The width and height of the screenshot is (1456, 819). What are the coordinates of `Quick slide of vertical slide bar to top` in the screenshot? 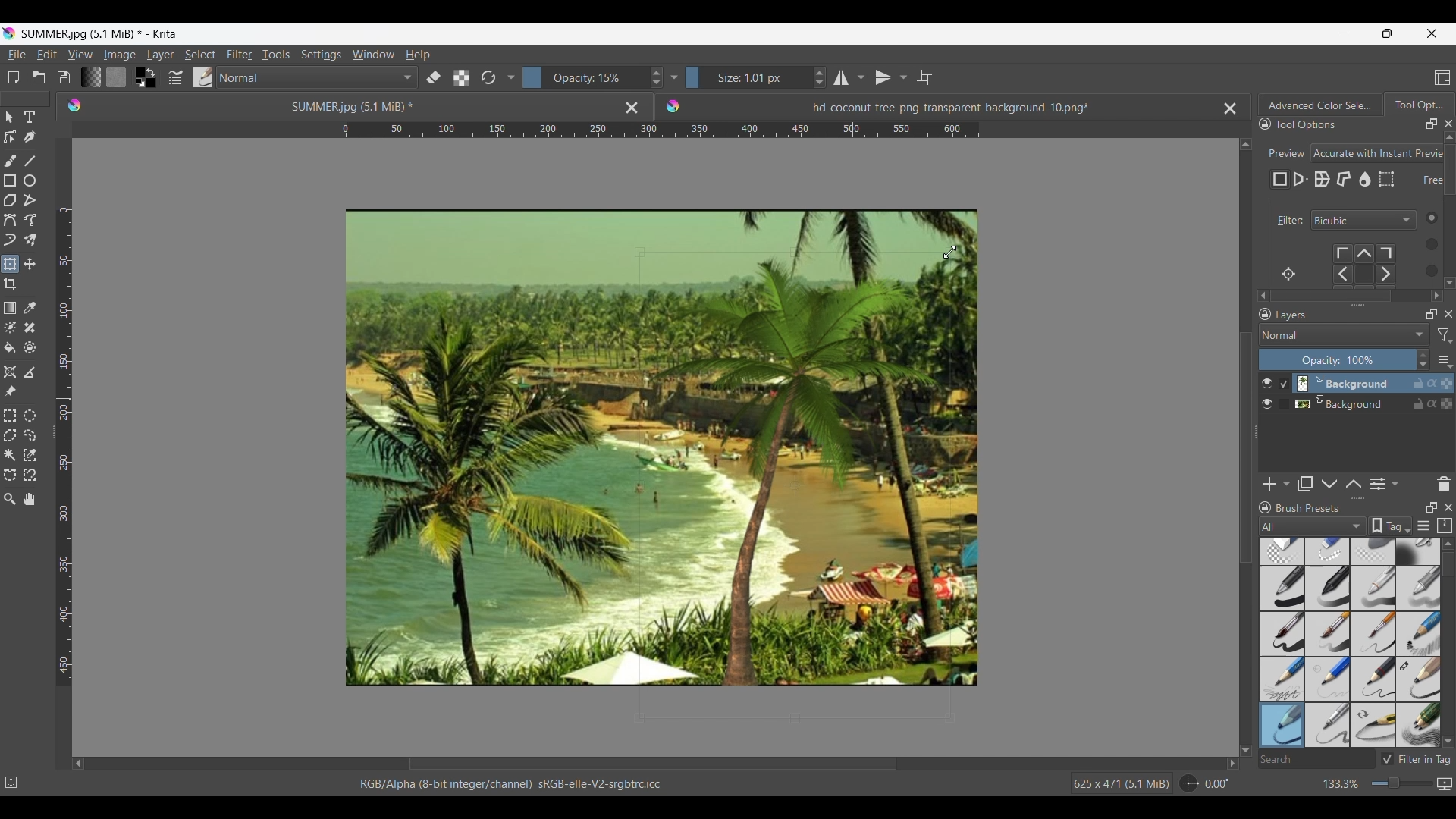 It's located at (1449, 137).